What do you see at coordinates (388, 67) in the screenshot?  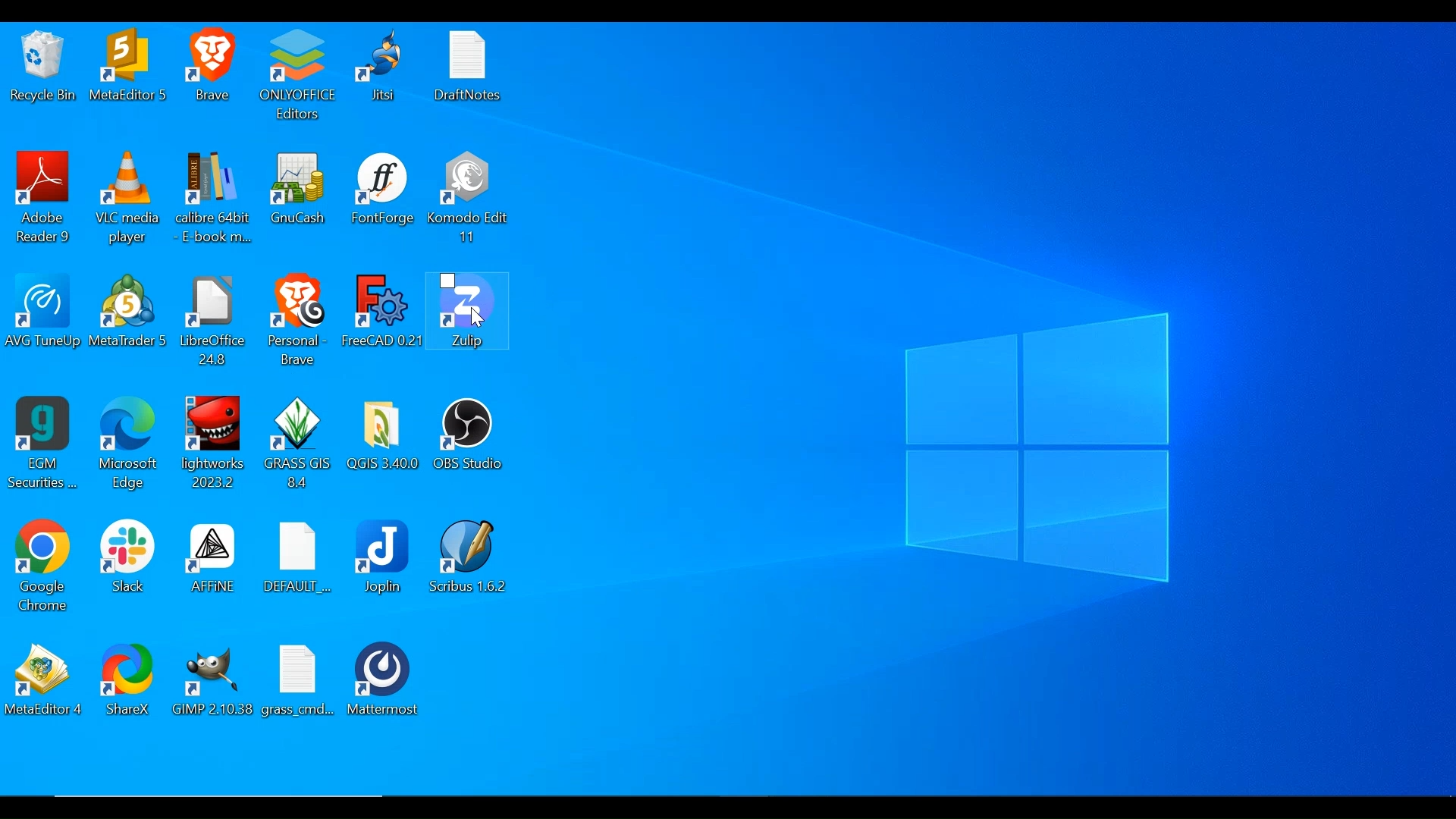 I see `Desktop icon` at bounding box center [388, 67].